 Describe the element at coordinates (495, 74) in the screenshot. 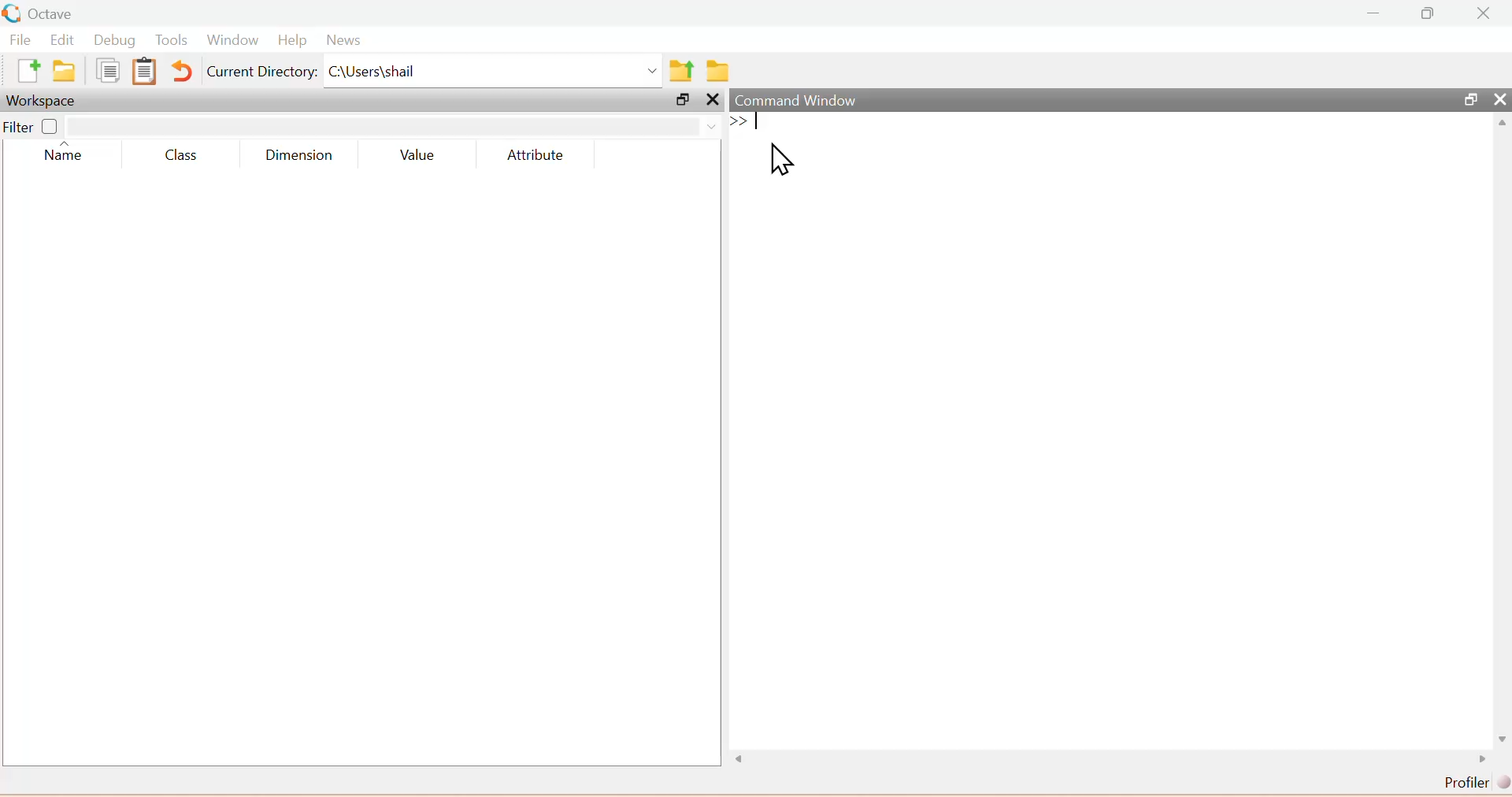

I see `C:\Users\shail ` at that location.